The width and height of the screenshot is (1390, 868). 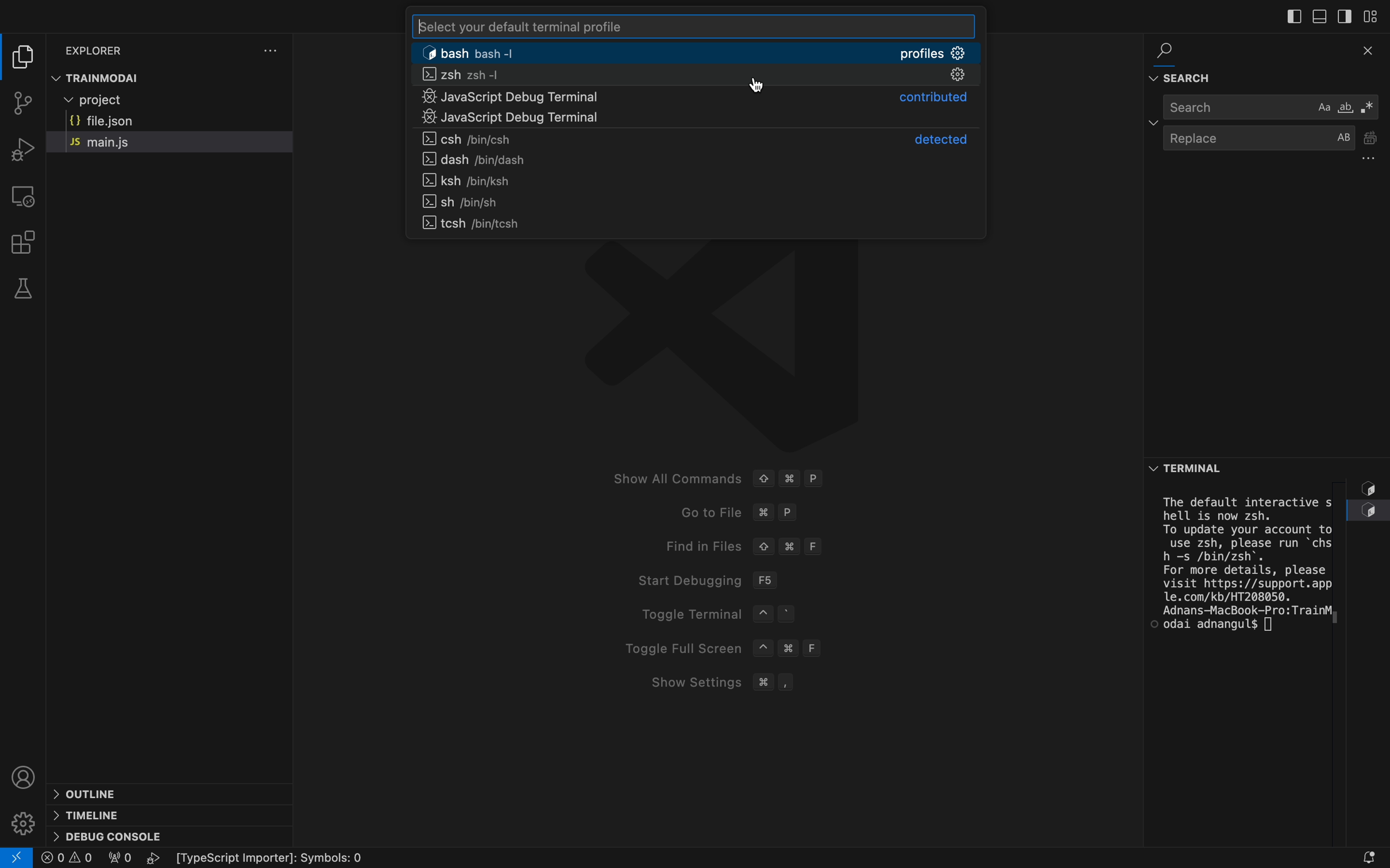 What do you see at coordinates (1292, 17) in the screenshot?
I see `sidebar at left` at bounding box center [1292, 17].